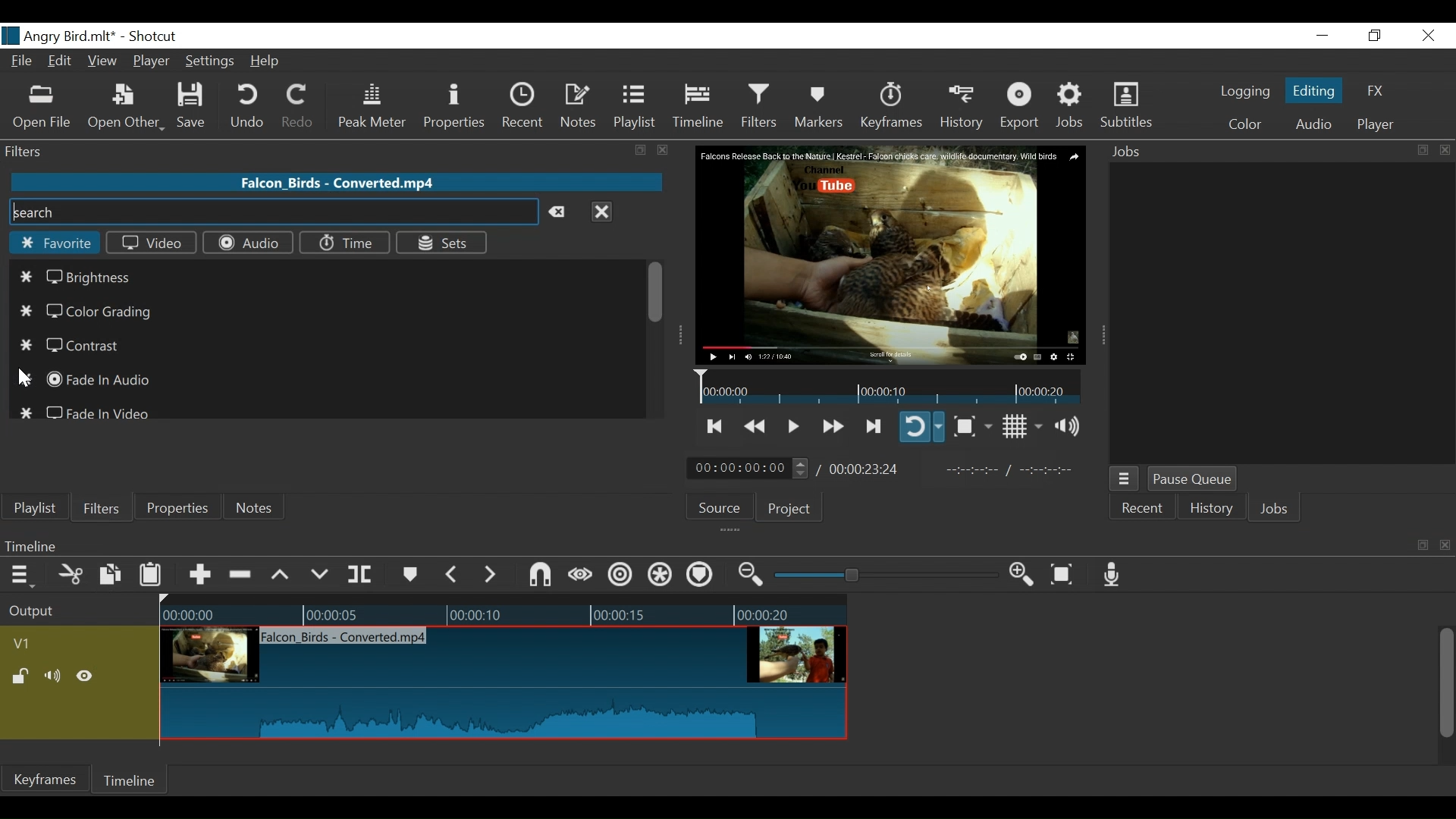 This screenshot has height=819, width=1456. I want to click on Video Track Name, so click(66, 645).